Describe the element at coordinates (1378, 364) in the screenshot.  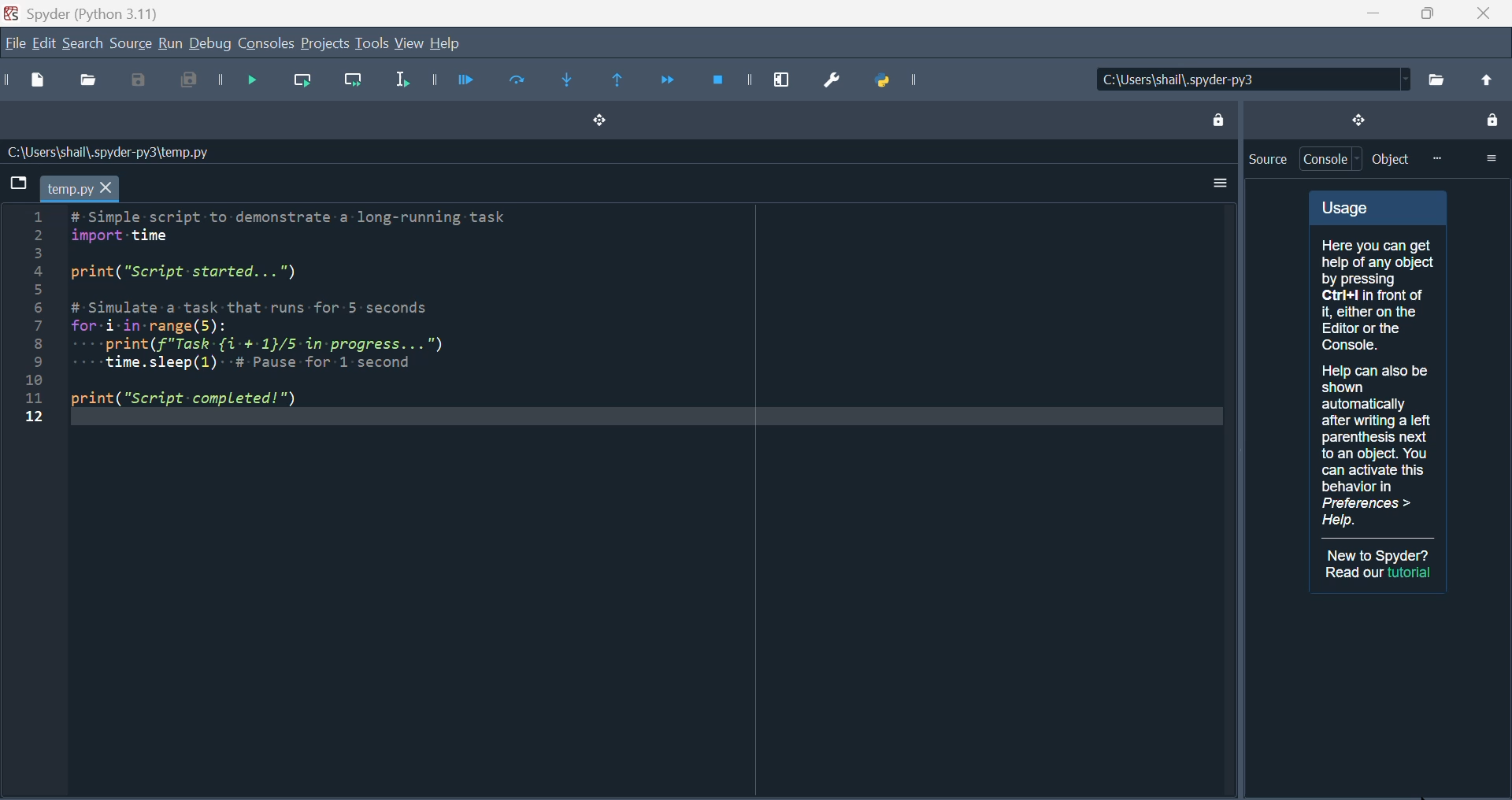
I see `Usage` at that location.